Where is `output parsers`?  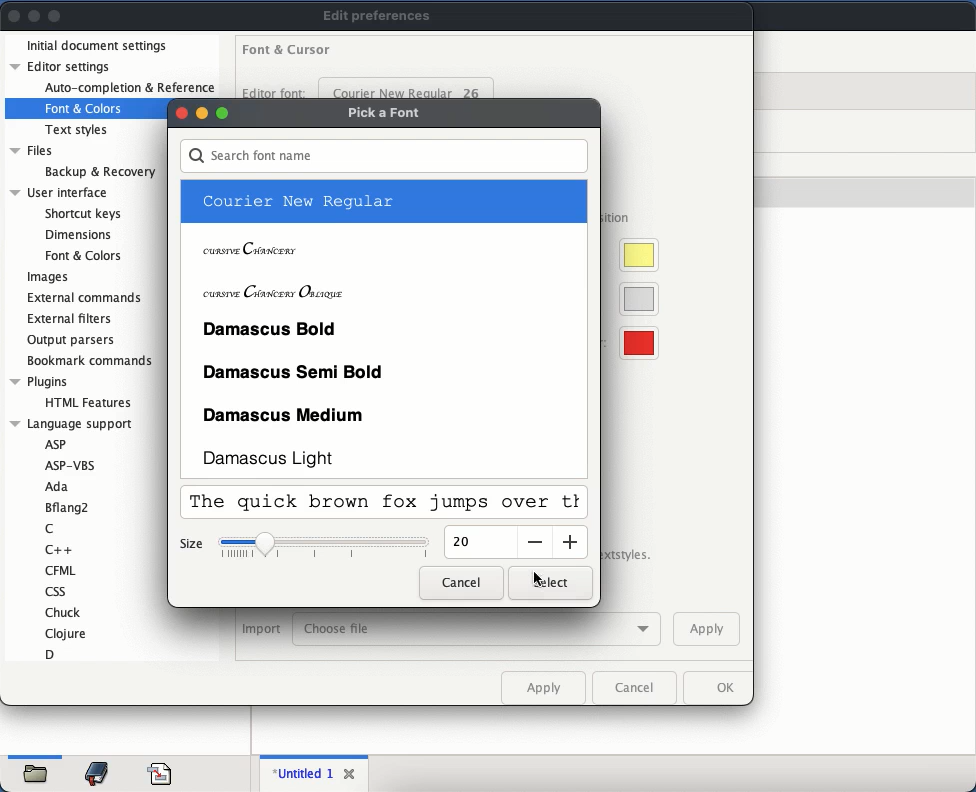
output parsers is located at coordinates (73, 340).